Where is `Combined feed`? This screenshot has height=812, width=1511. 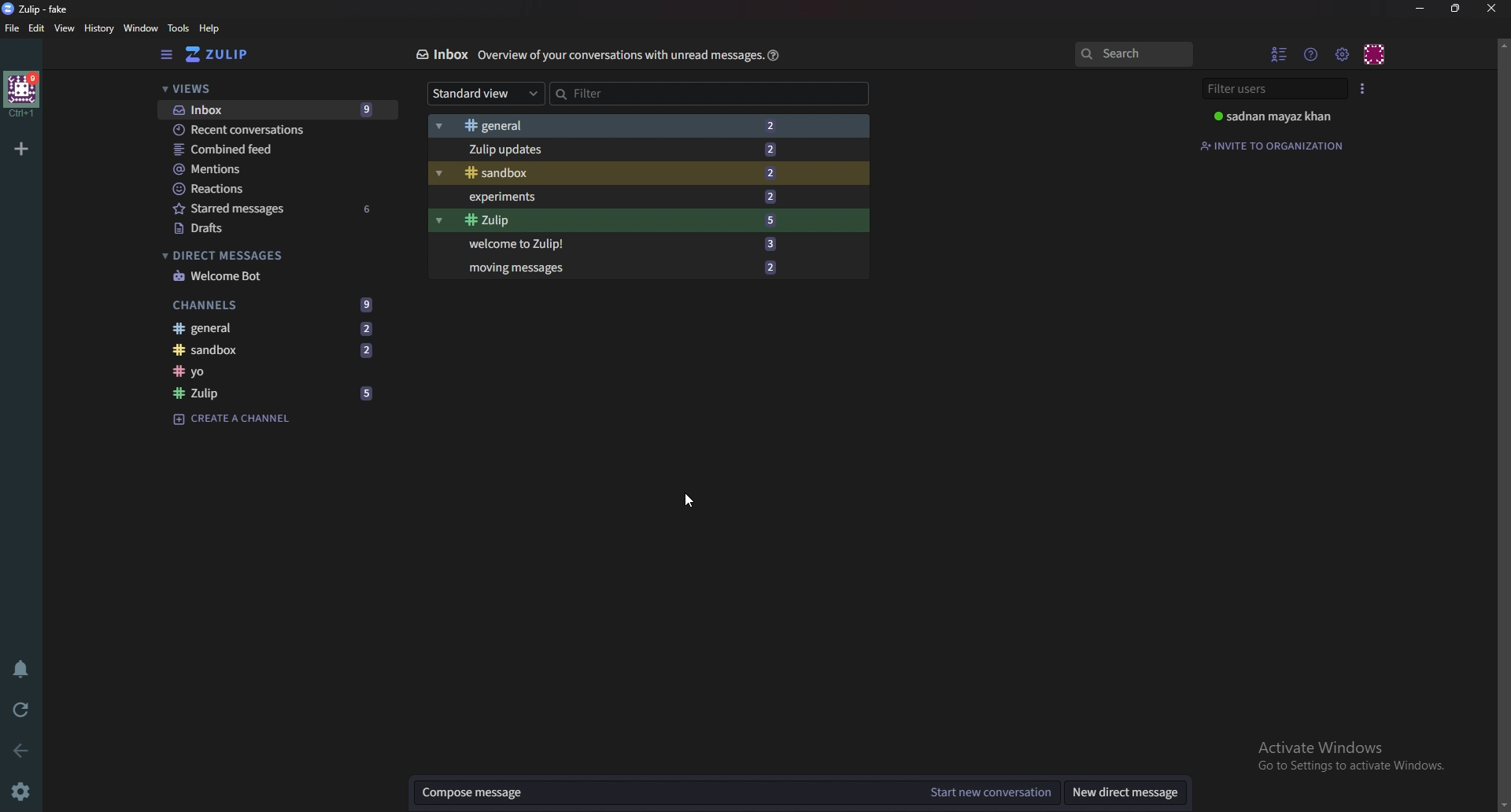
Combined feed is located at coordinates (269, 149).